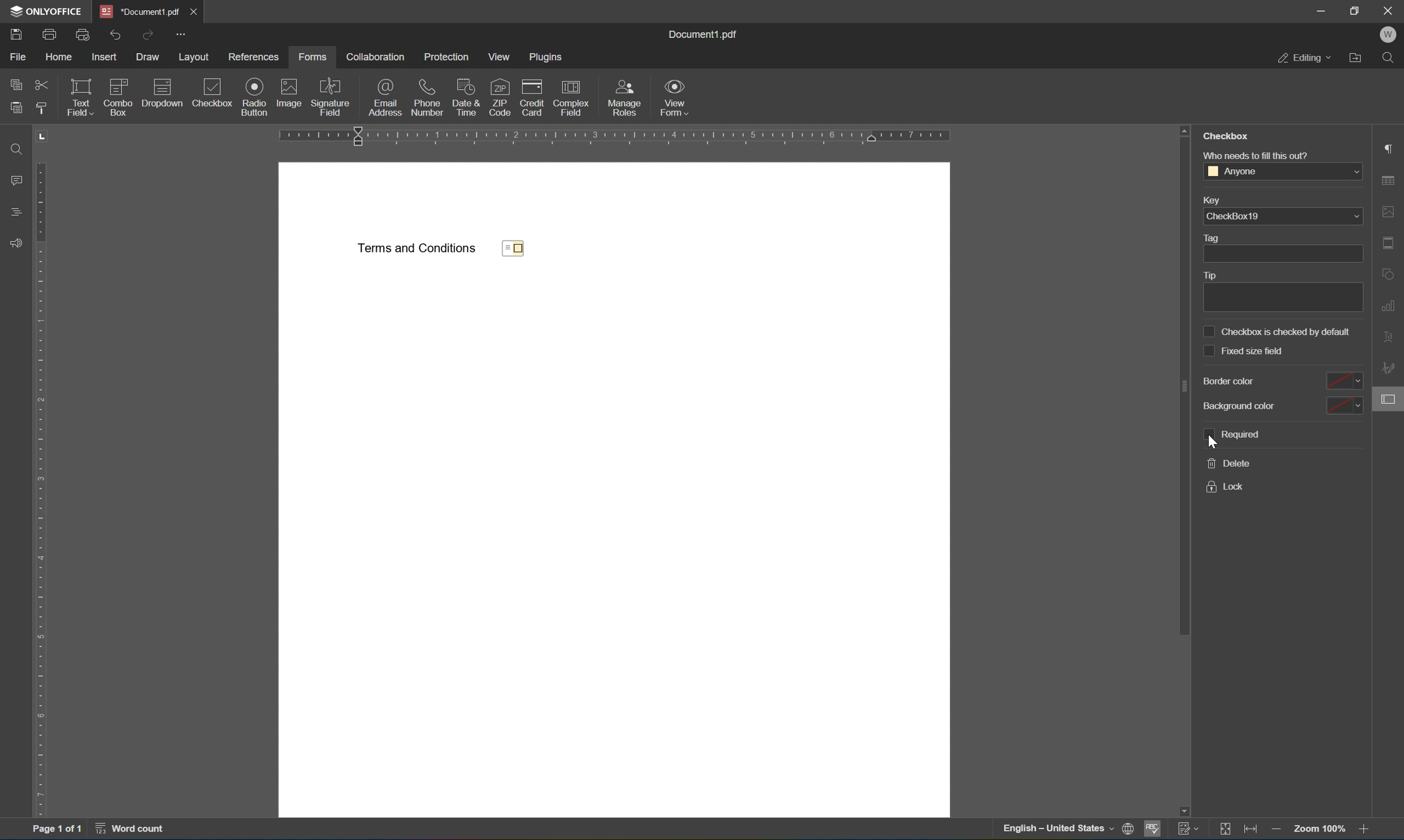 This screenshot has width=1404, height=840. Describe the element at coordinates (148, 36) in the screenshot. I see `redo` at that location.